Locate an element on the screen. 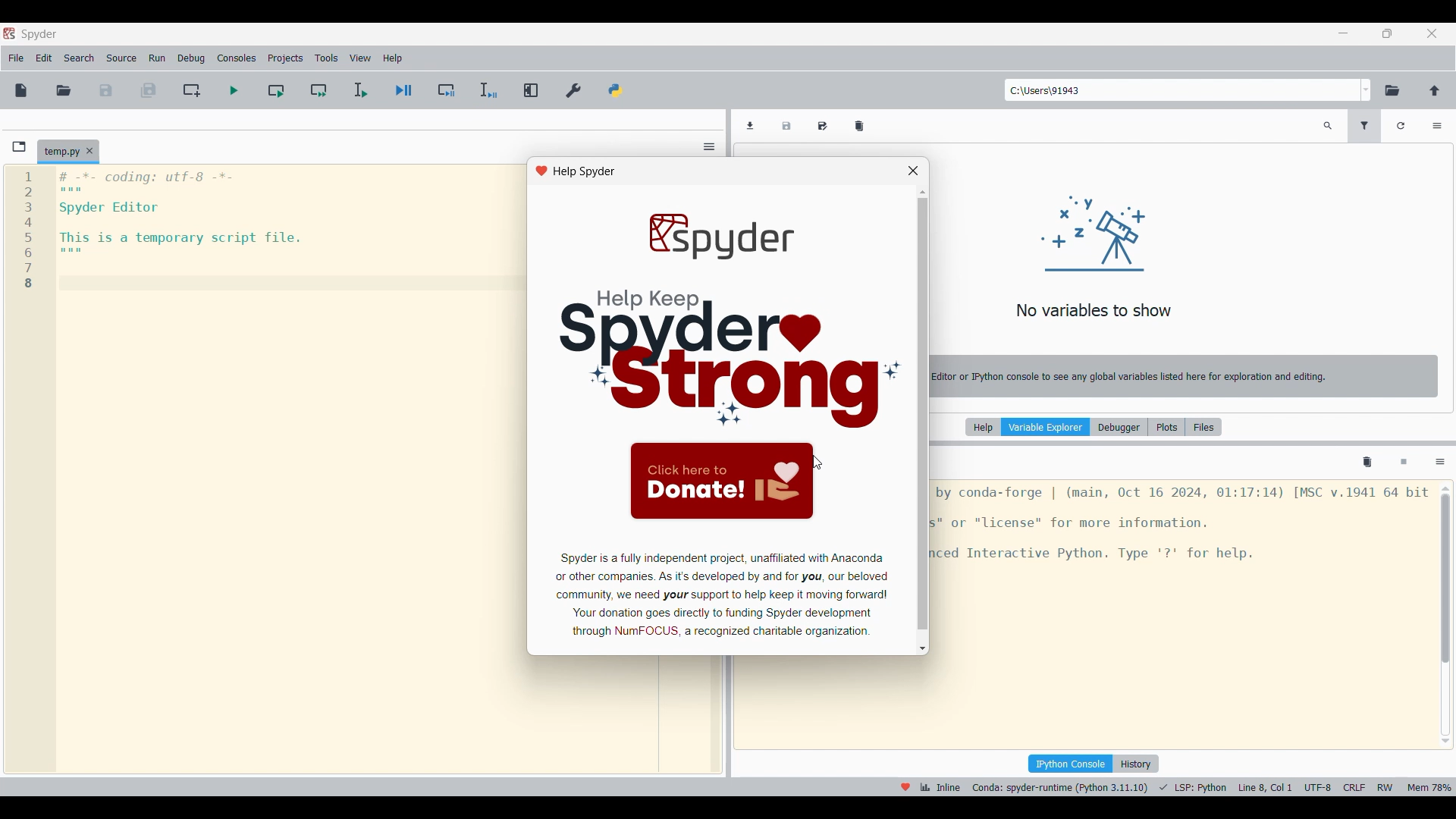  Save data as is located at coordinates (822, 126).